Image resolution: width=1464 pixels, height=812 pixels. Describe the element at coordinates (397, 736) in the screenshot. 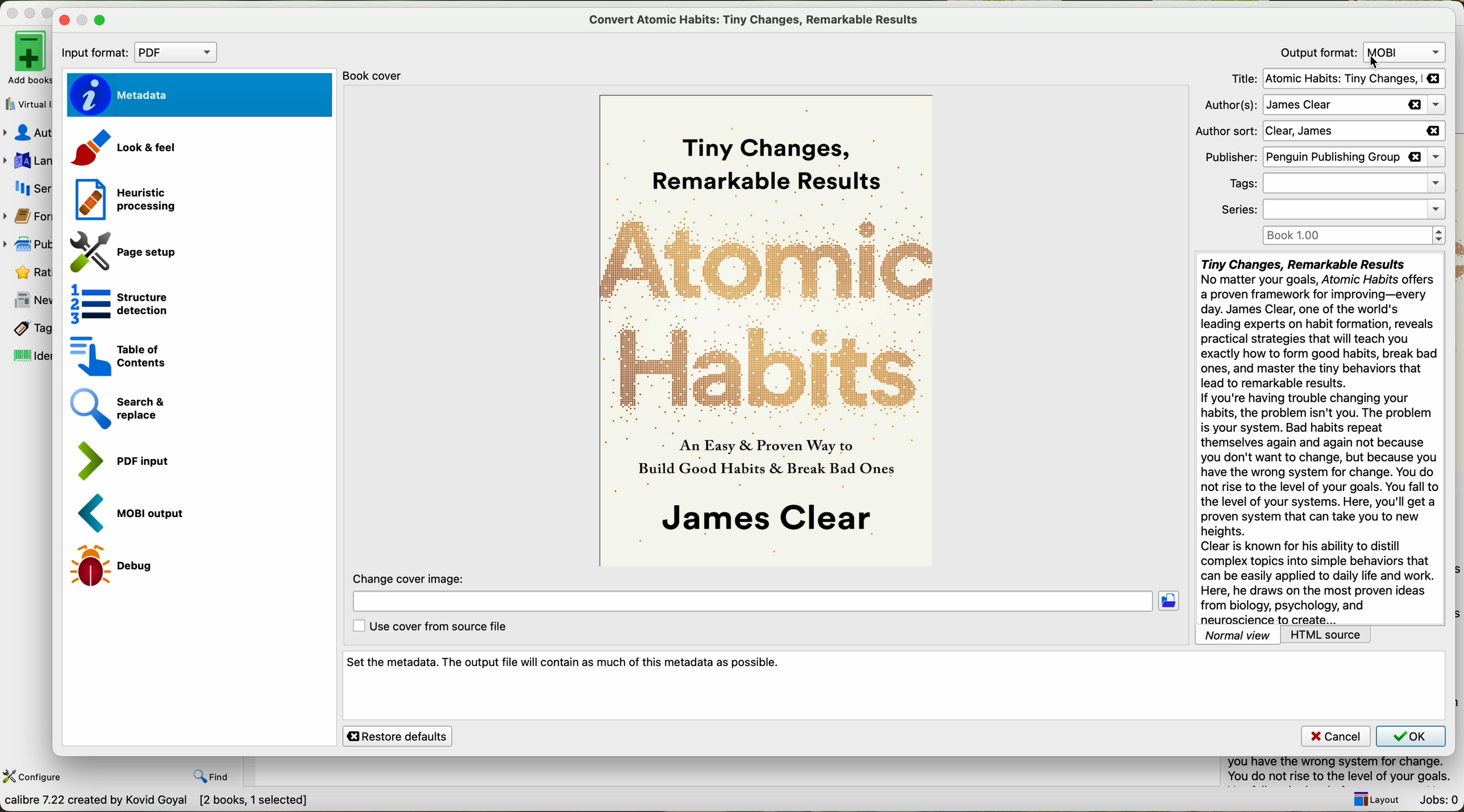

I see `restore defaults` at that location.